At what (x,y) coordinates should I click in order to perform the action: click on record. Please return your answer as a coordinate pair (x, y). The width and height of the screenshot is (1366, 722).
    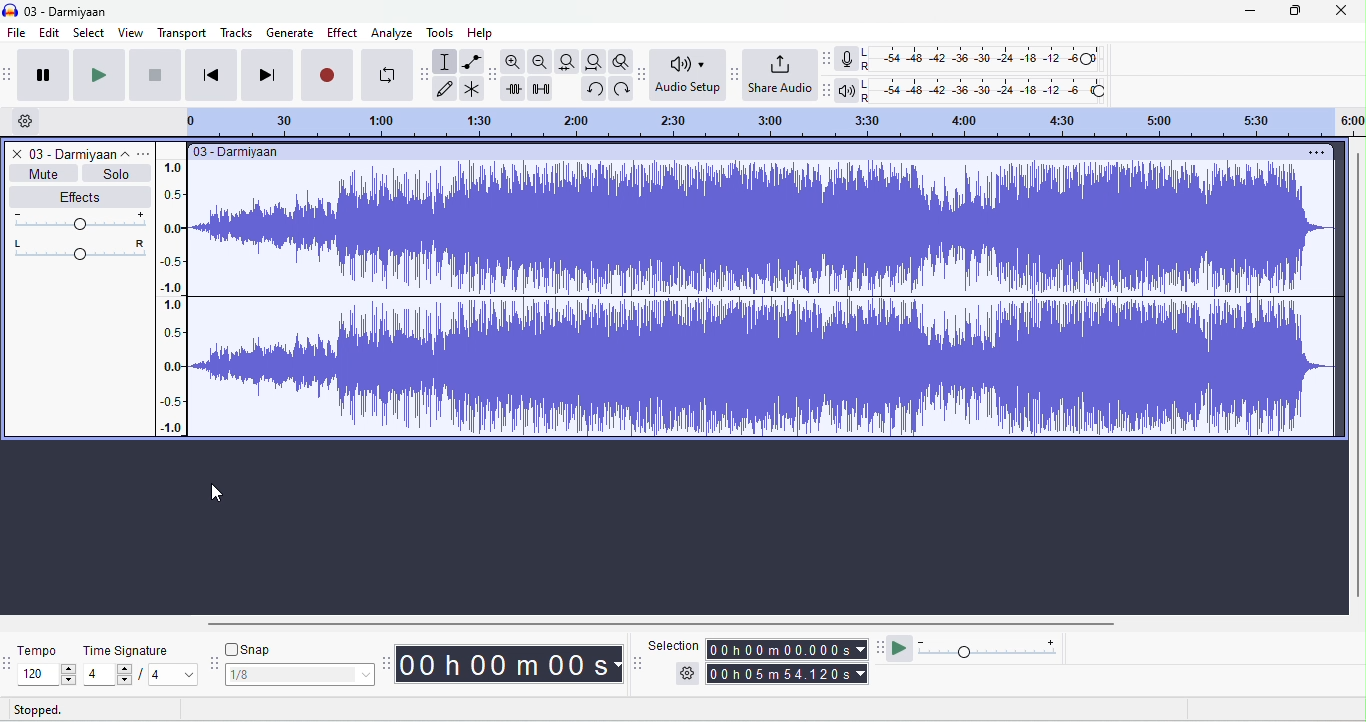
    Looking at the image, I should click on (329, 75).